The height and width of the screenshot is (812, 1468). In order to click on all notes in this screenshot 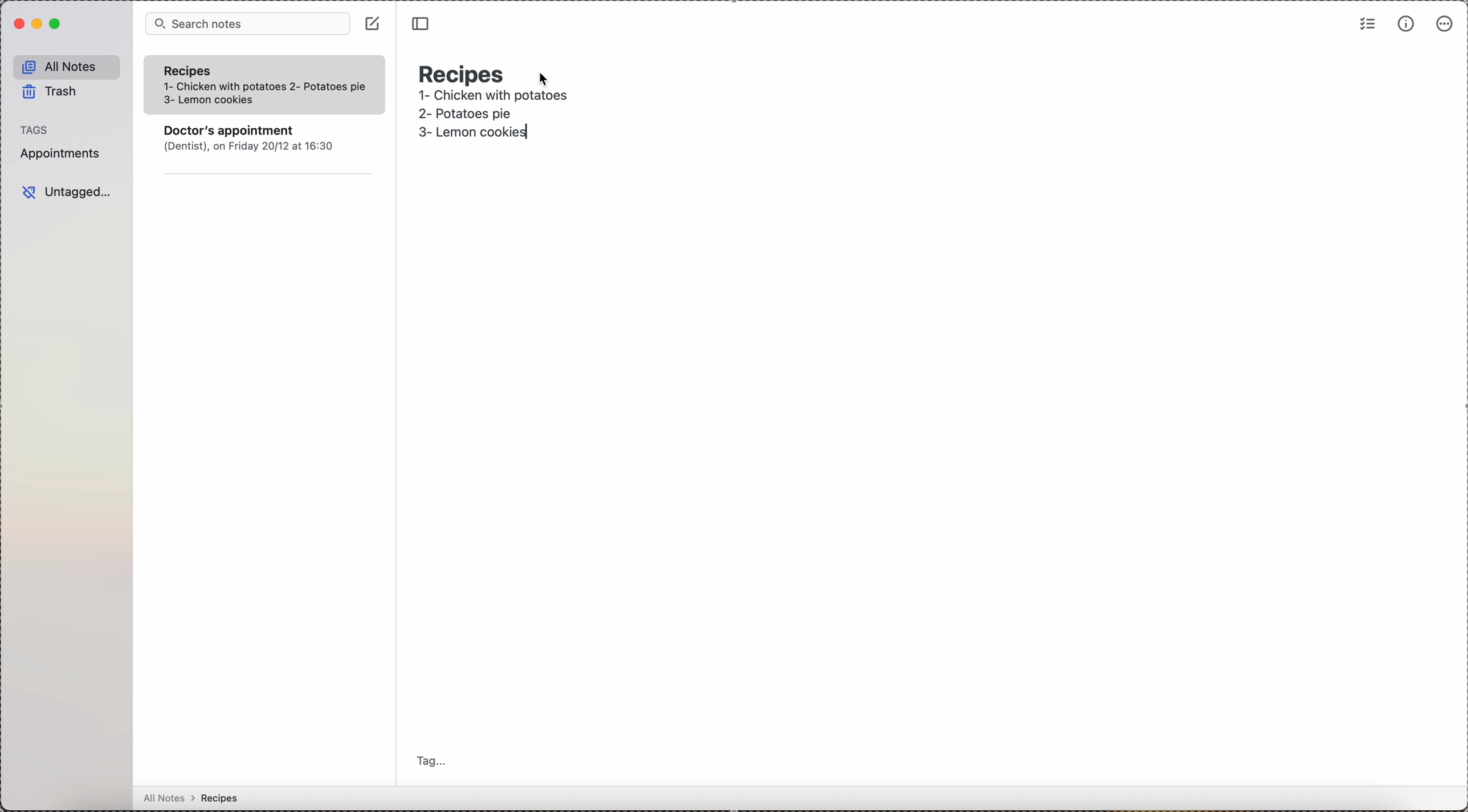, I will do `click(67, 66)`.